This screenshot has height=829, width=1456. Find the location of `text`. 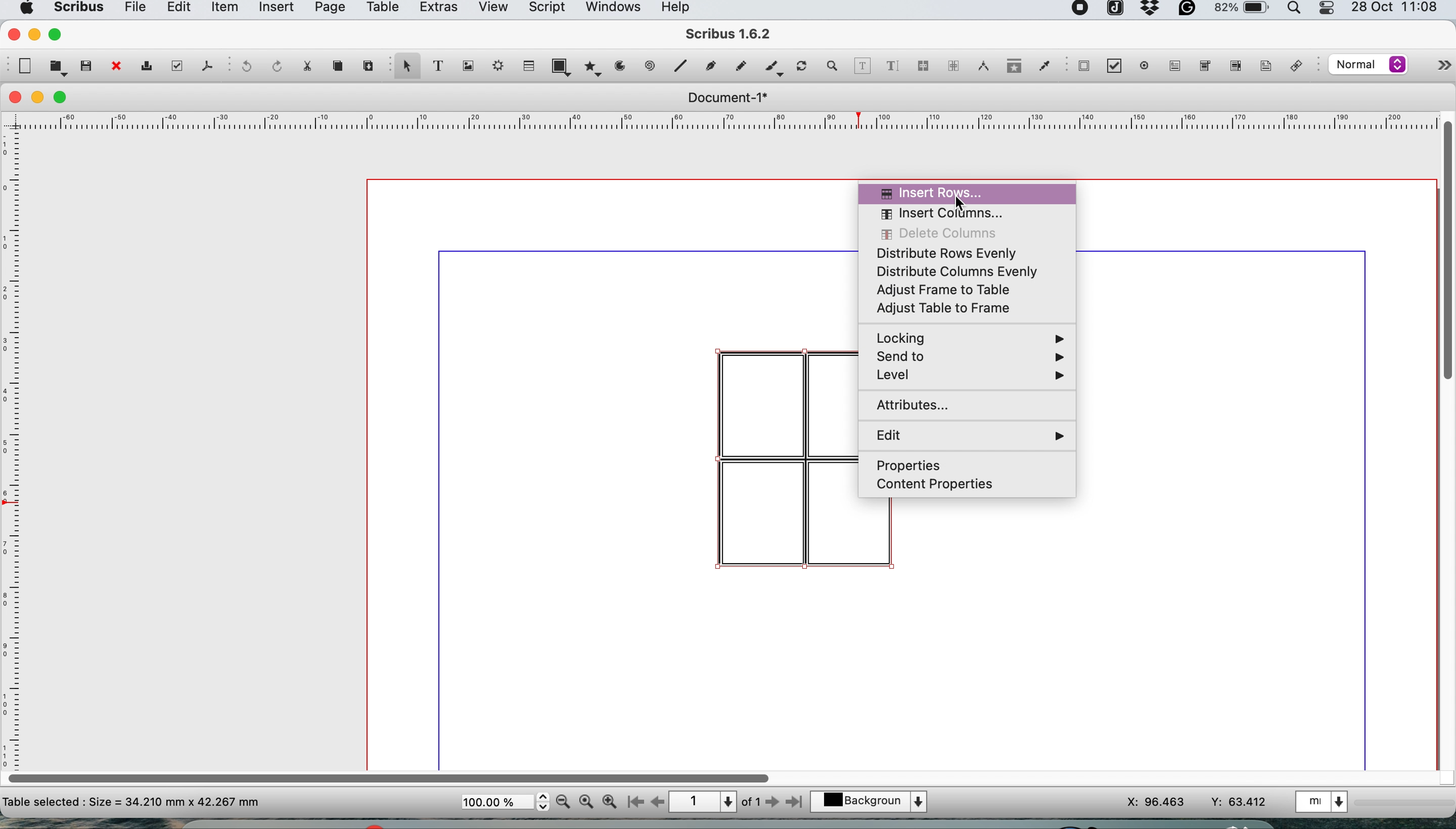

text is located at coordinates (132, 801).